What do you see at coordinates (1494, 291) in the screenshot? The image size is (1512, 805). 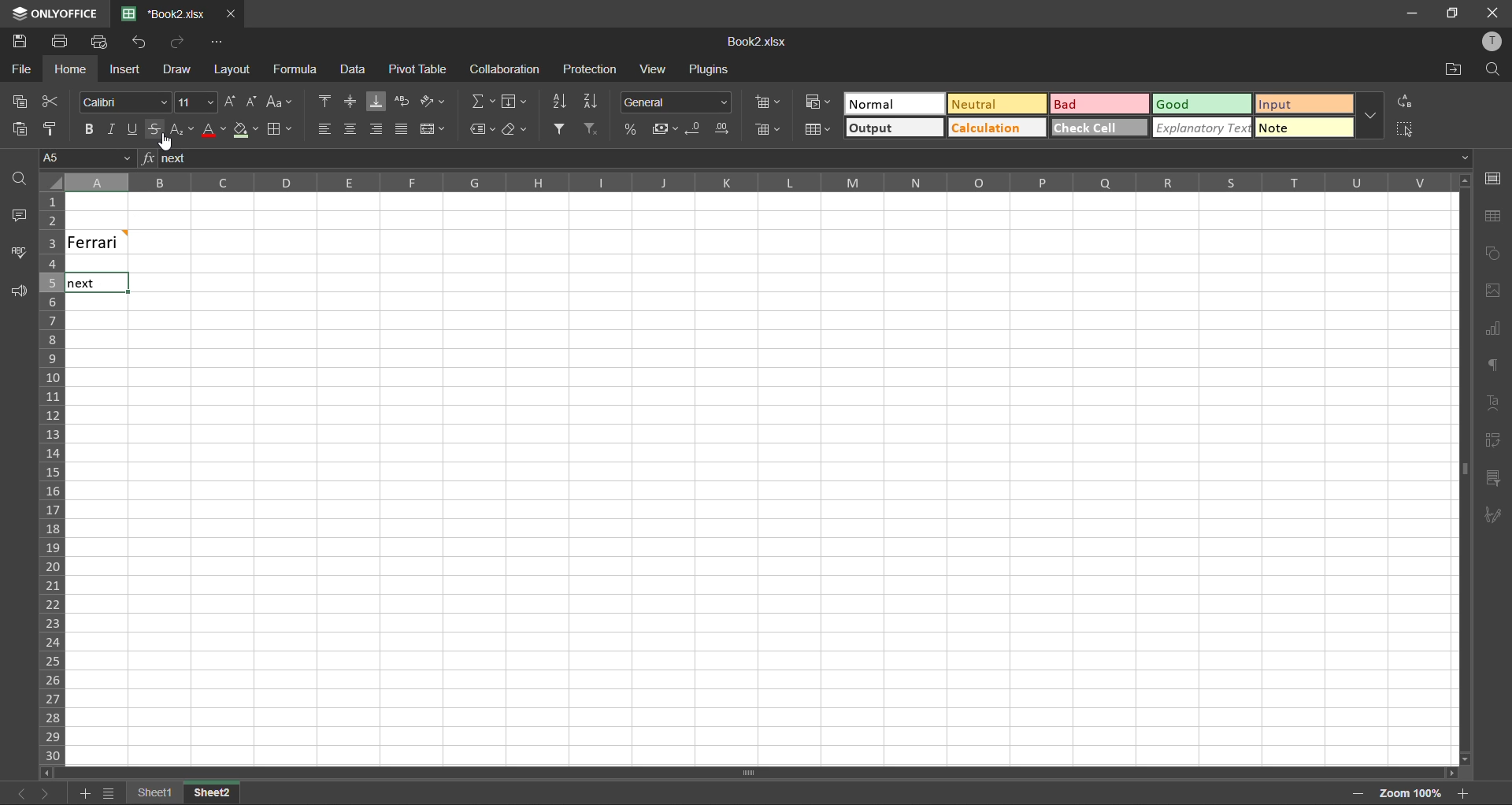 I see `images` at bounding box center [1494, 291].